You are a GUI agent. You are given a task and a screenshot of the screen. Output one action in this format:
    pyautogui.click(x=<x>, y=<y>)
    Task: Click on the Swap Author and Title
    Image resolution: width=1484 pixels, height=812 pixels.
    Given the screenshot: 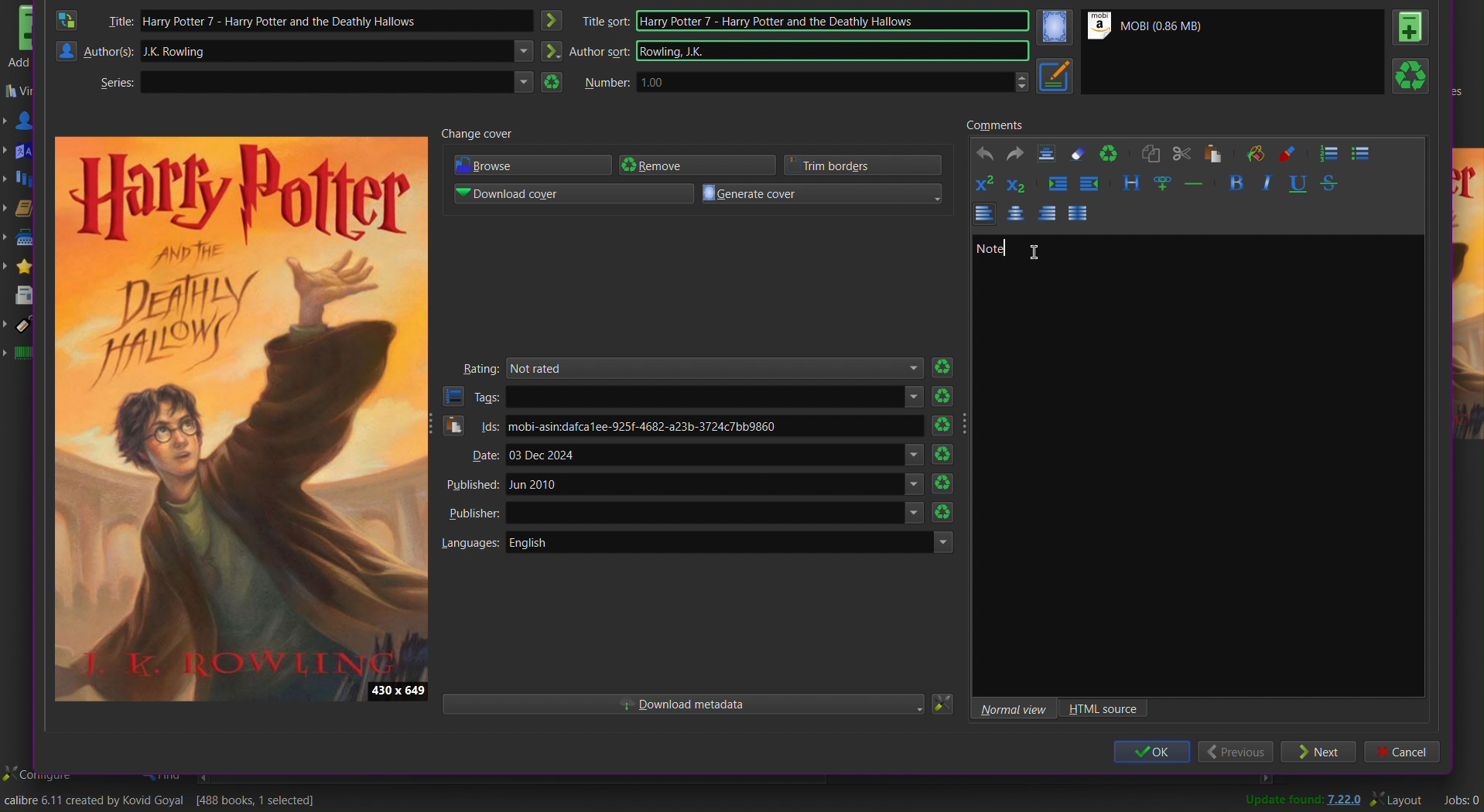 What is the action you would take?
    pyautogui.click(x=70, y=19)
    